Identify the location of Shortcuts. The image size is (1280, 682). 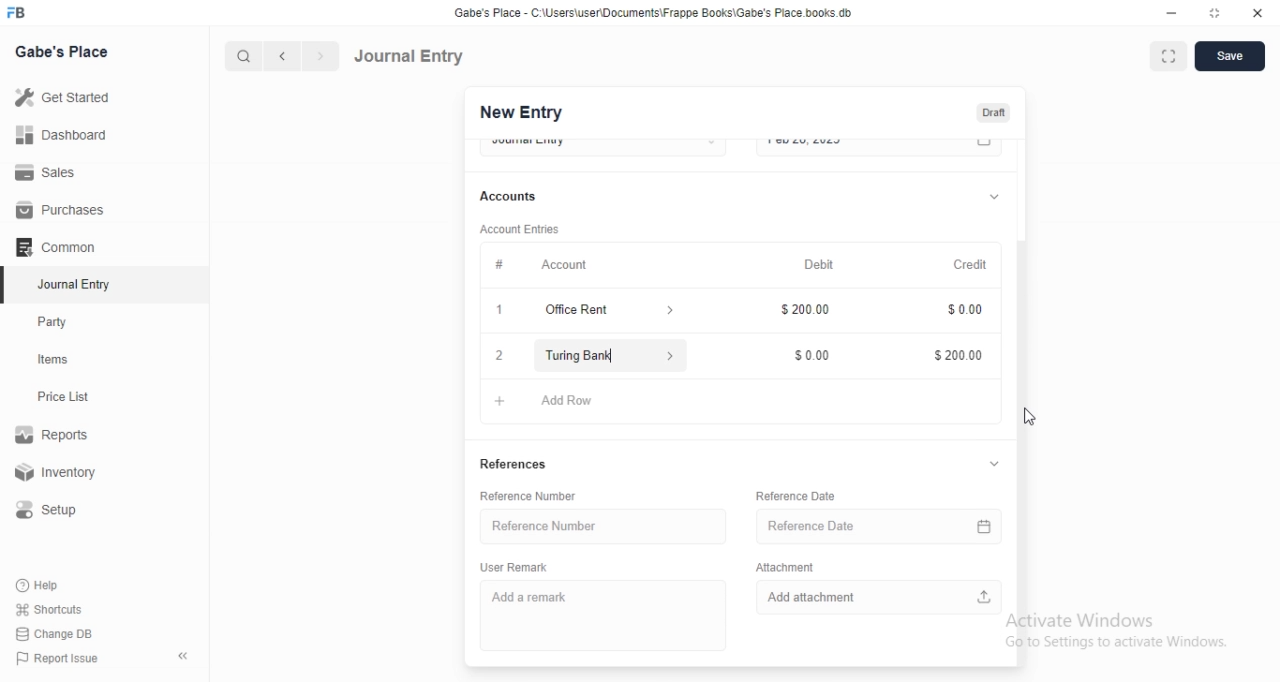
(49, 608).